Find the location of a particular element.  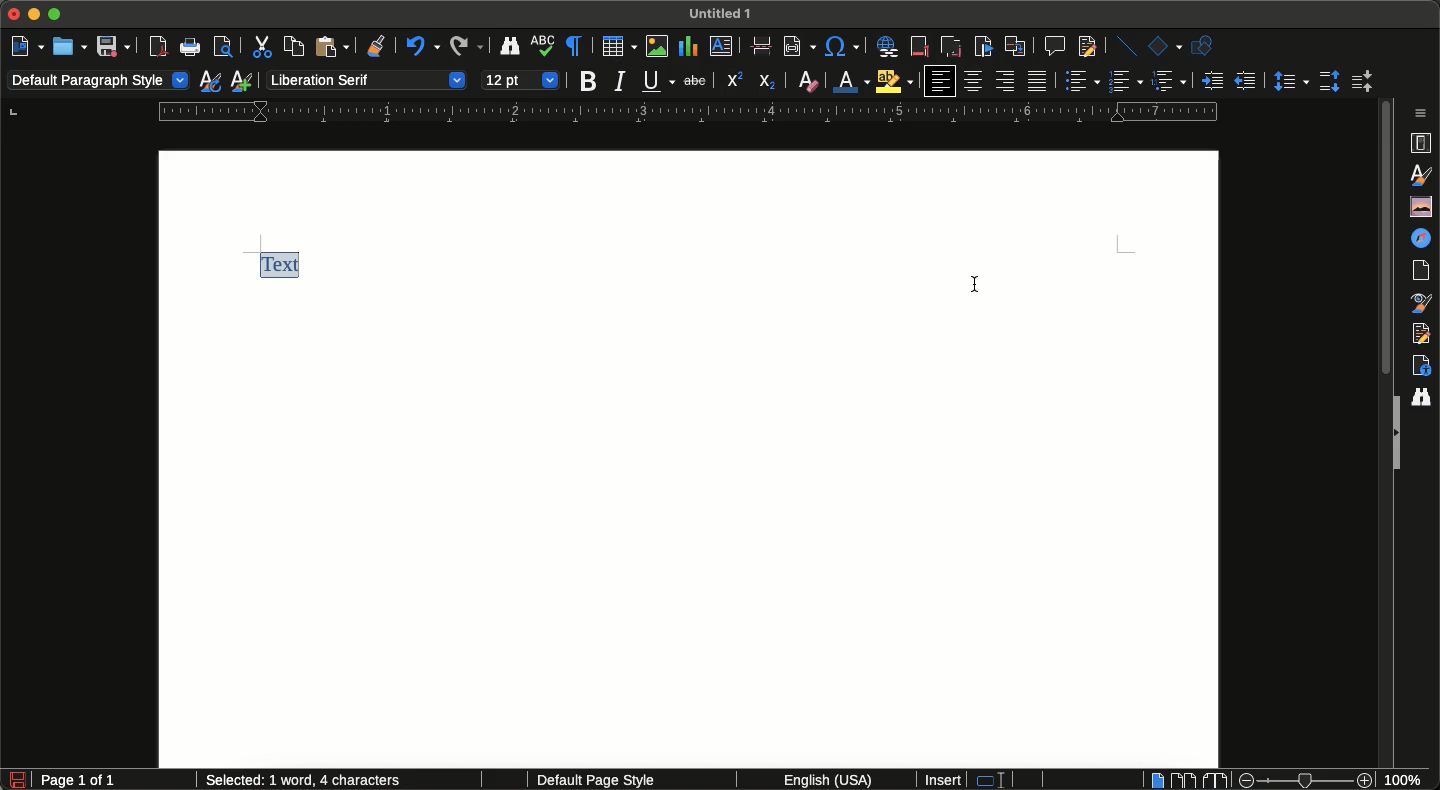

Insert text box is located at coordinates (726, 49).